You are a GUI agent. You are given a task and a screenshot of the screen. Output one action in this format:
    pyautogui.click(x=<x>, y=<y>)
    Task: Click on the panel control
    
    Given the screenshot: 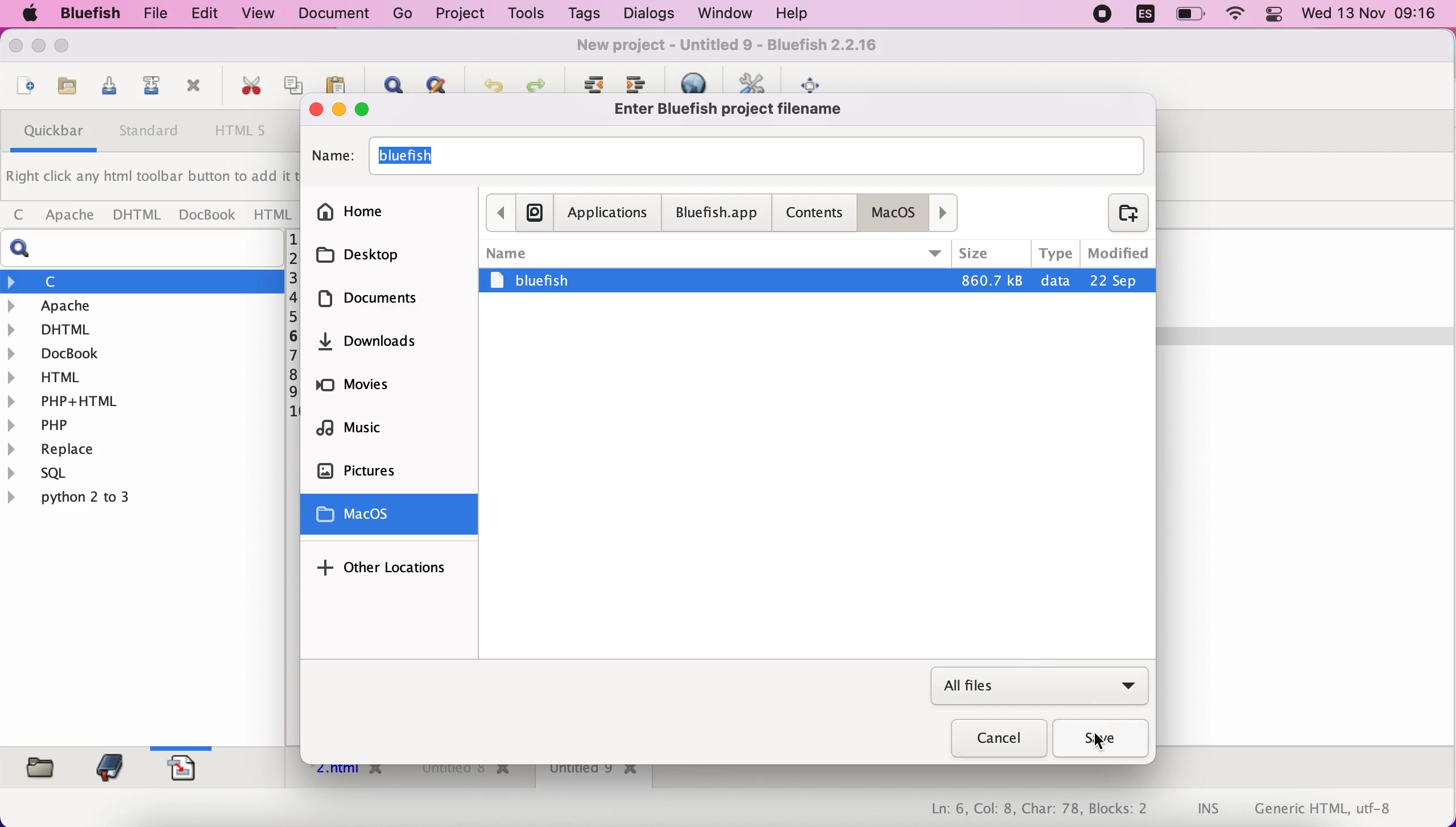 What is the action you would take?
    pyautogui.click(x=1274, y=15)
    